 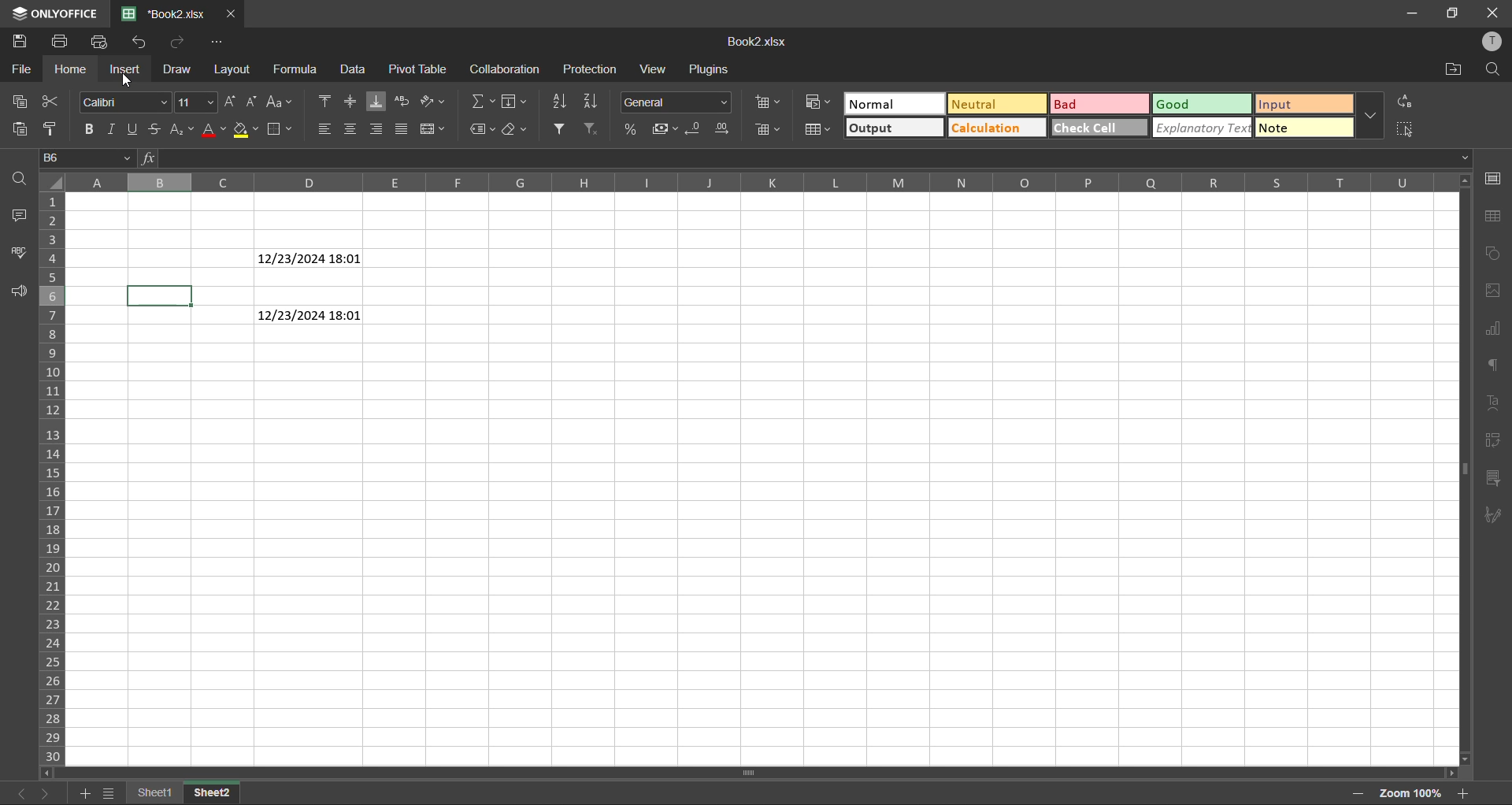 I want to click on filter, so click(x=560, y=129).